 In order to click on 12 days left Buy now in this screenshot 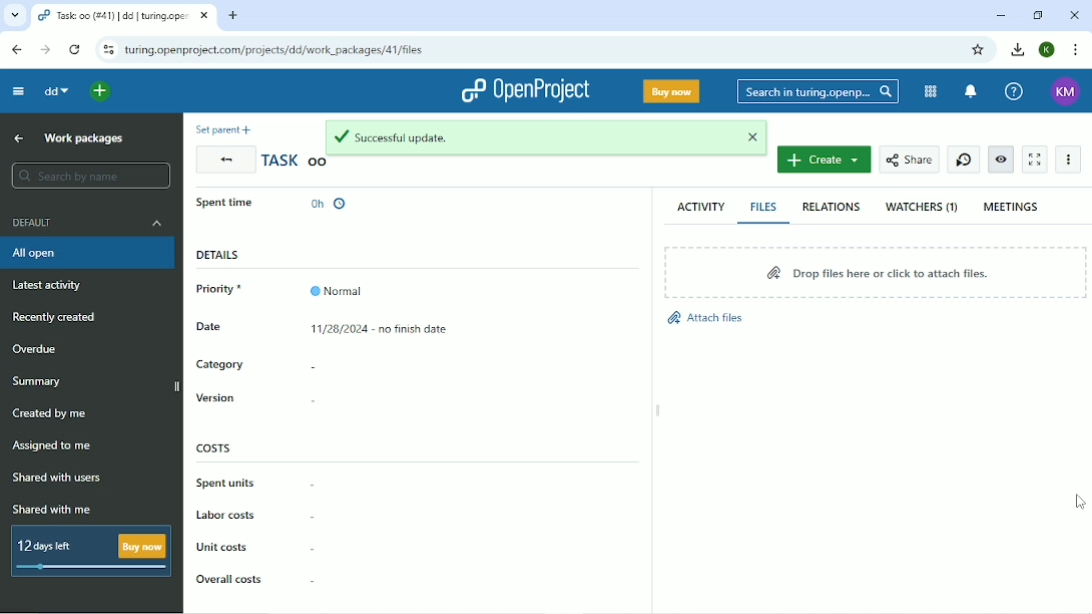, I will do `click(87, 551)`.